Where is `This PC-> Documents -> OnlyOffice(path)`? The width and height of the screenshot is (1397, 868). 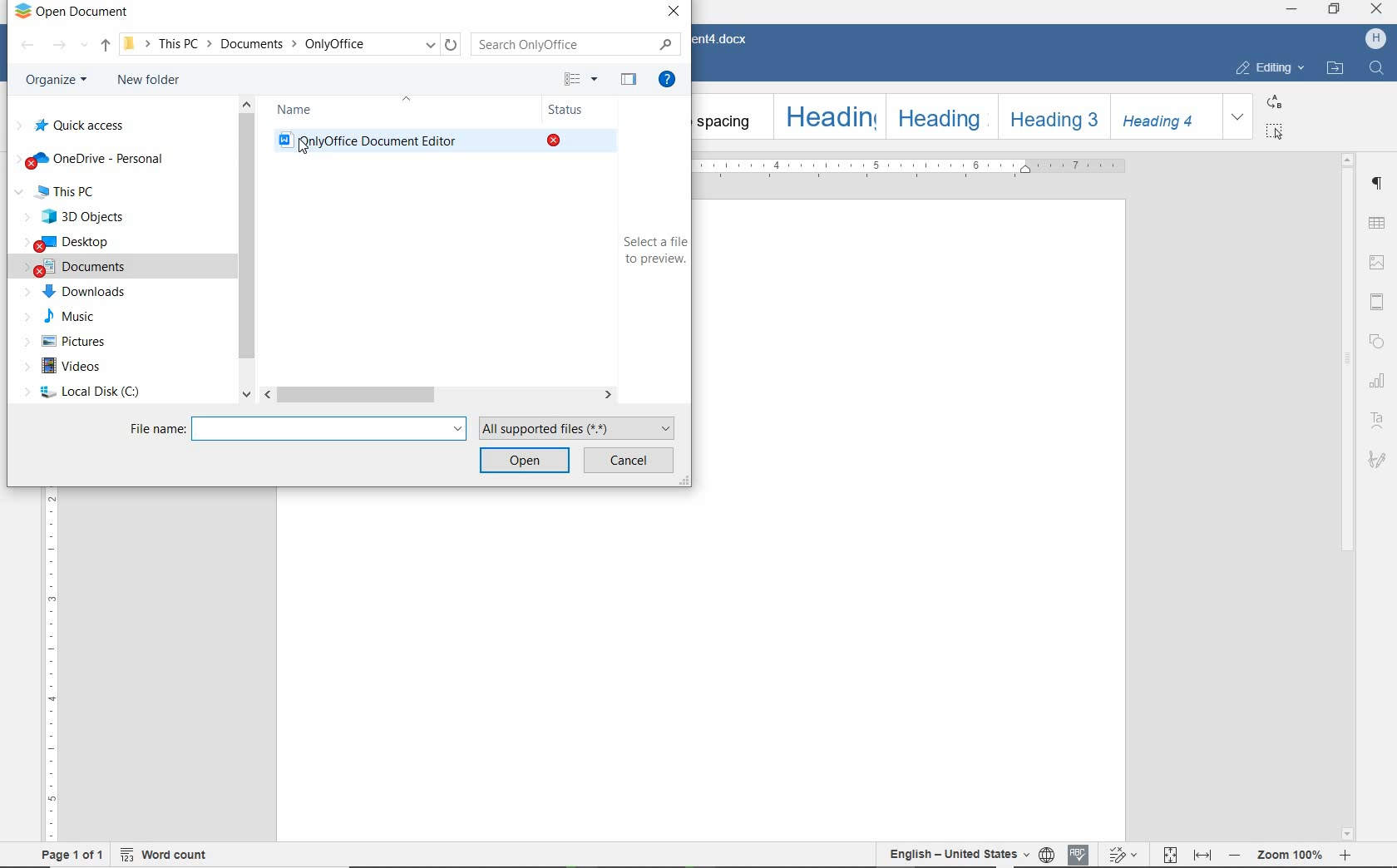 This PC-> Documents -> OnlyOffice(path) is located at coordinates (279, 43).